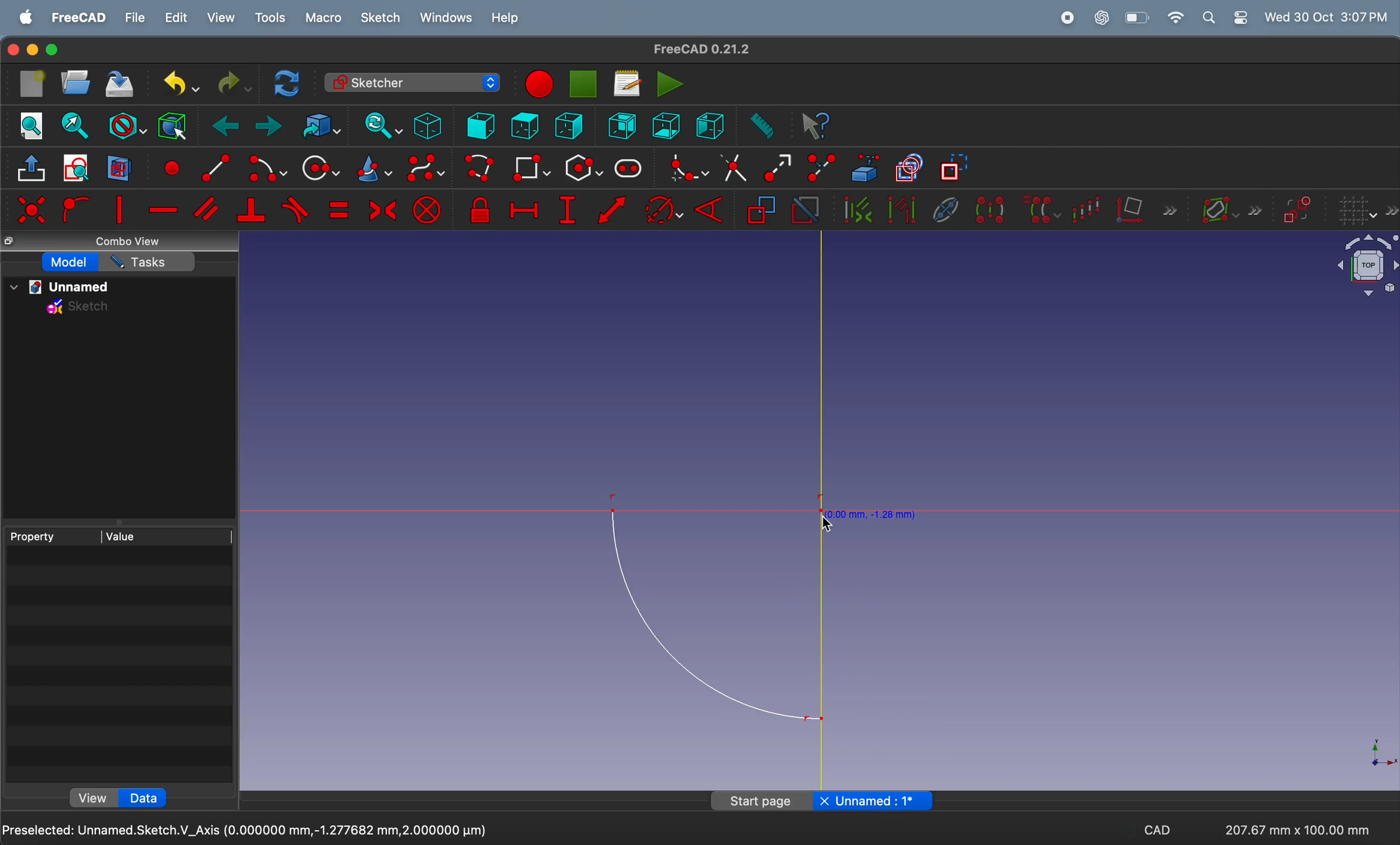  Describe the element at coordinates (714, 208) in the screenshot. I see `constraint angle` at that location.